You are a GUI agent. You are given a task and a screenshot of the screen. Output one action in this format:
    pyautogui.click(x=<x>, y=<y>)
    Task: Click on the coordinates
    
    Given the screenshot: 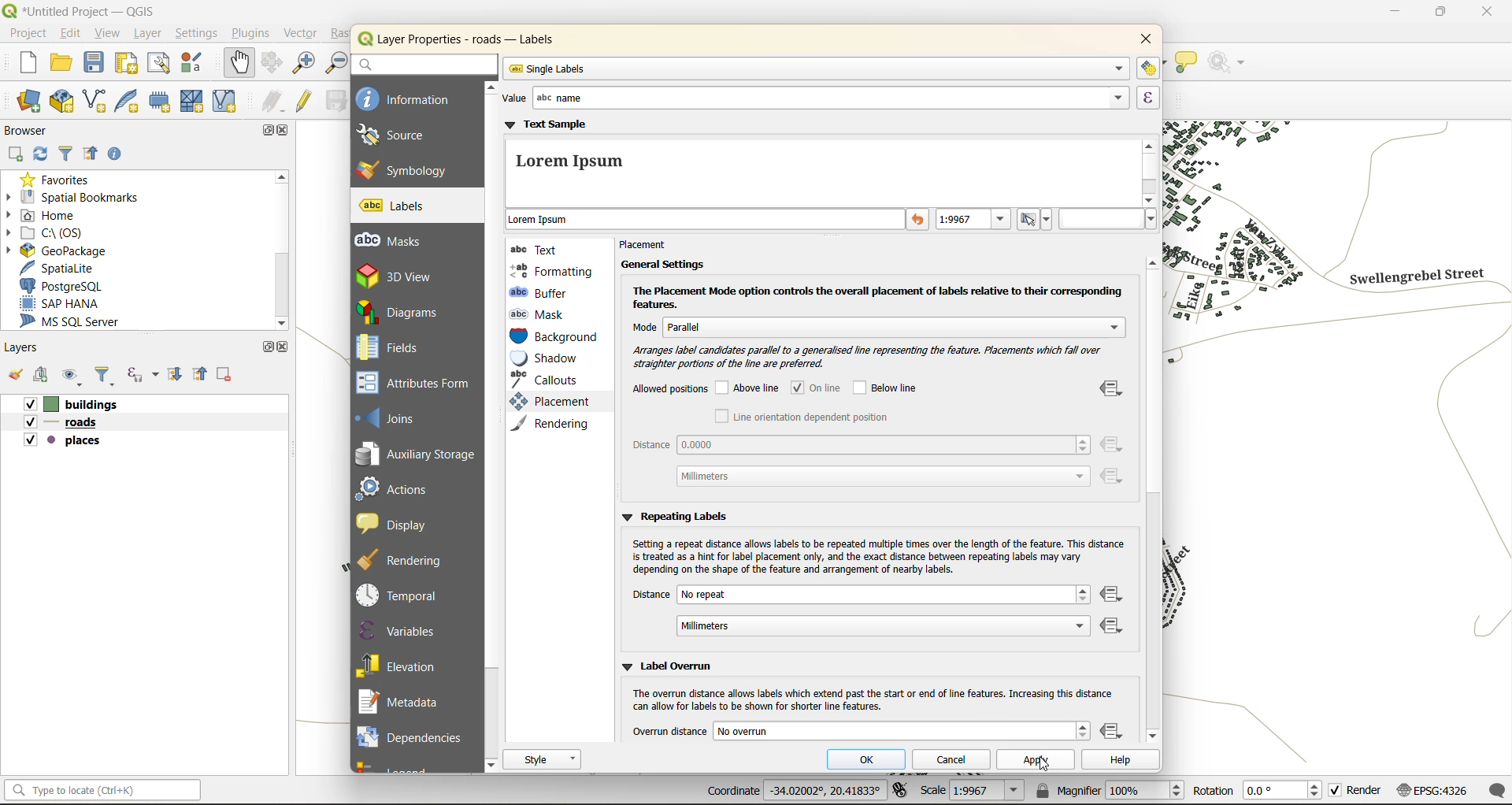 What is the action you would take?
    pyautogui.click(x=794, y=791)
    